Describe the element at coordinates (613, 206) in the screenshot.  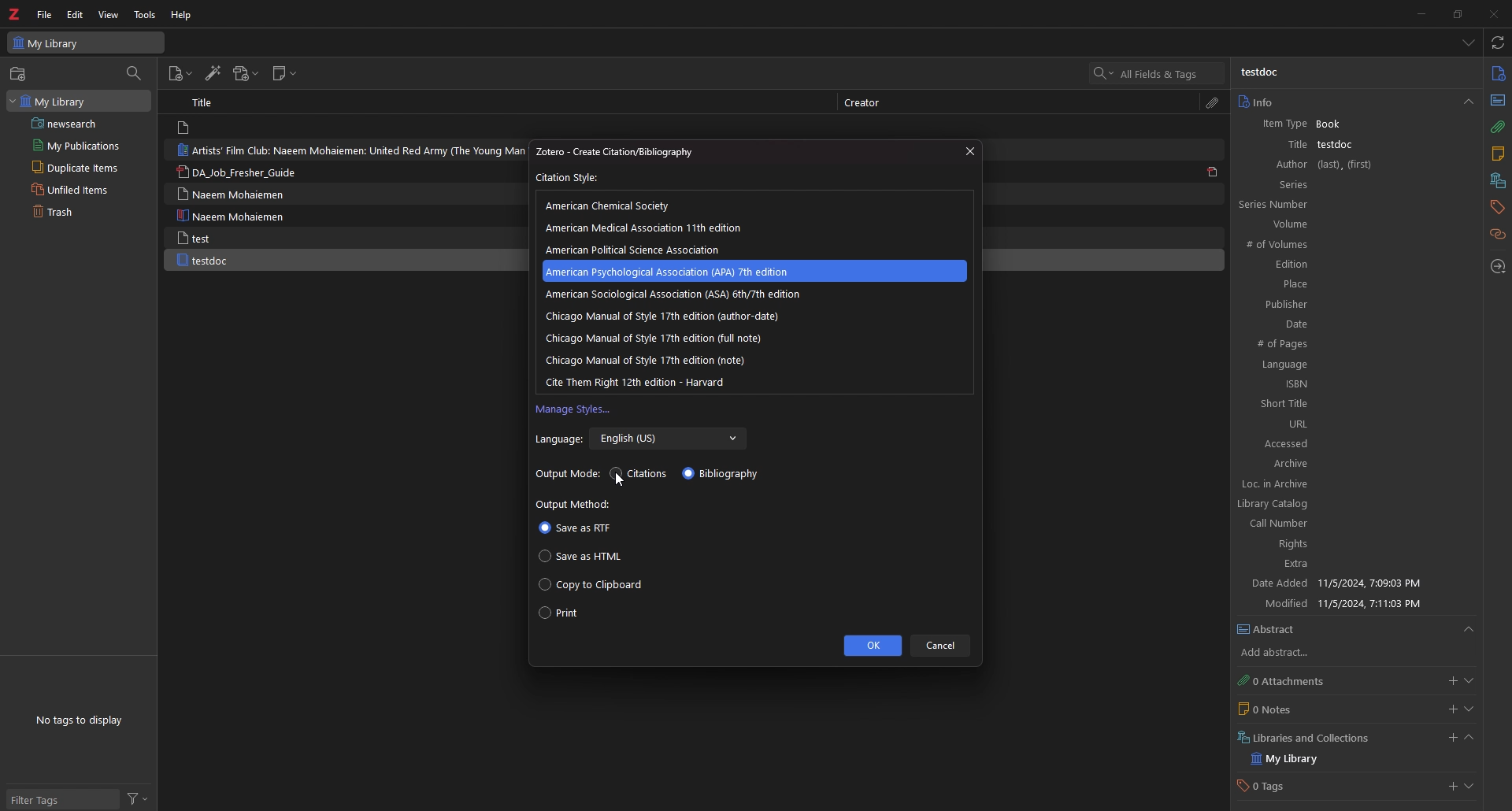
I see `american chemical scoeity` at that location.